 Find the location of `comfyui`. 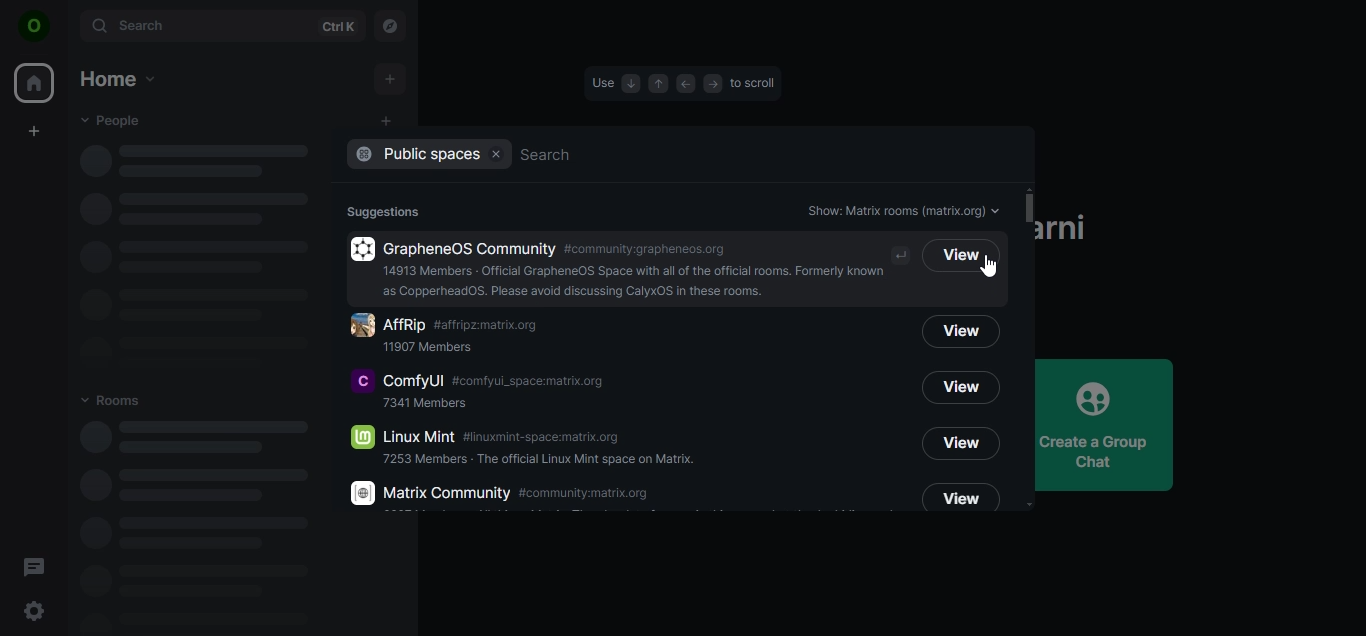

comfyui is located at coordinates (483, 390).